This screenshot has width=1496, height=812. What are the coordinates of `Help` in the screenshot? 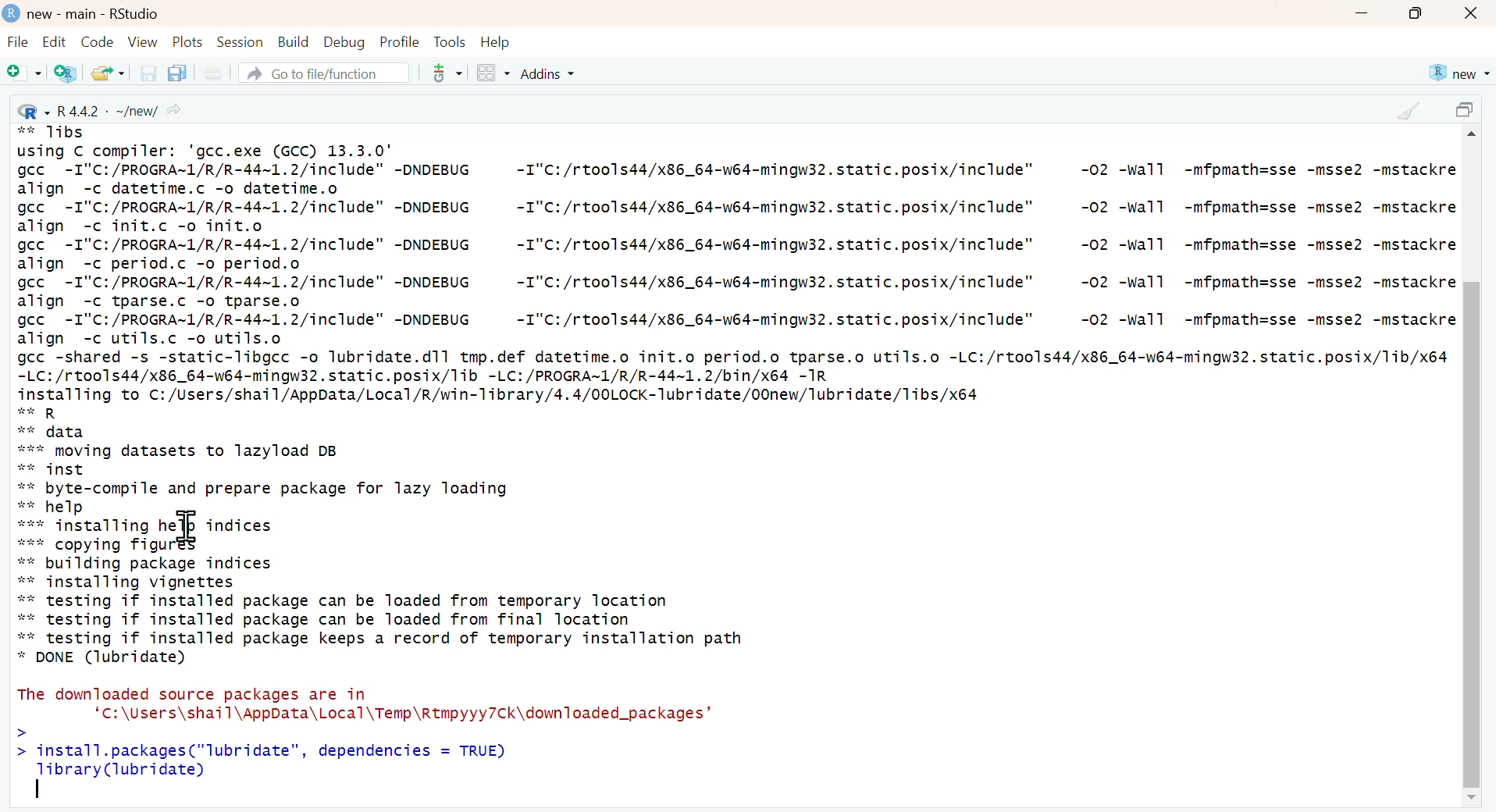 It's located at (496, 42).